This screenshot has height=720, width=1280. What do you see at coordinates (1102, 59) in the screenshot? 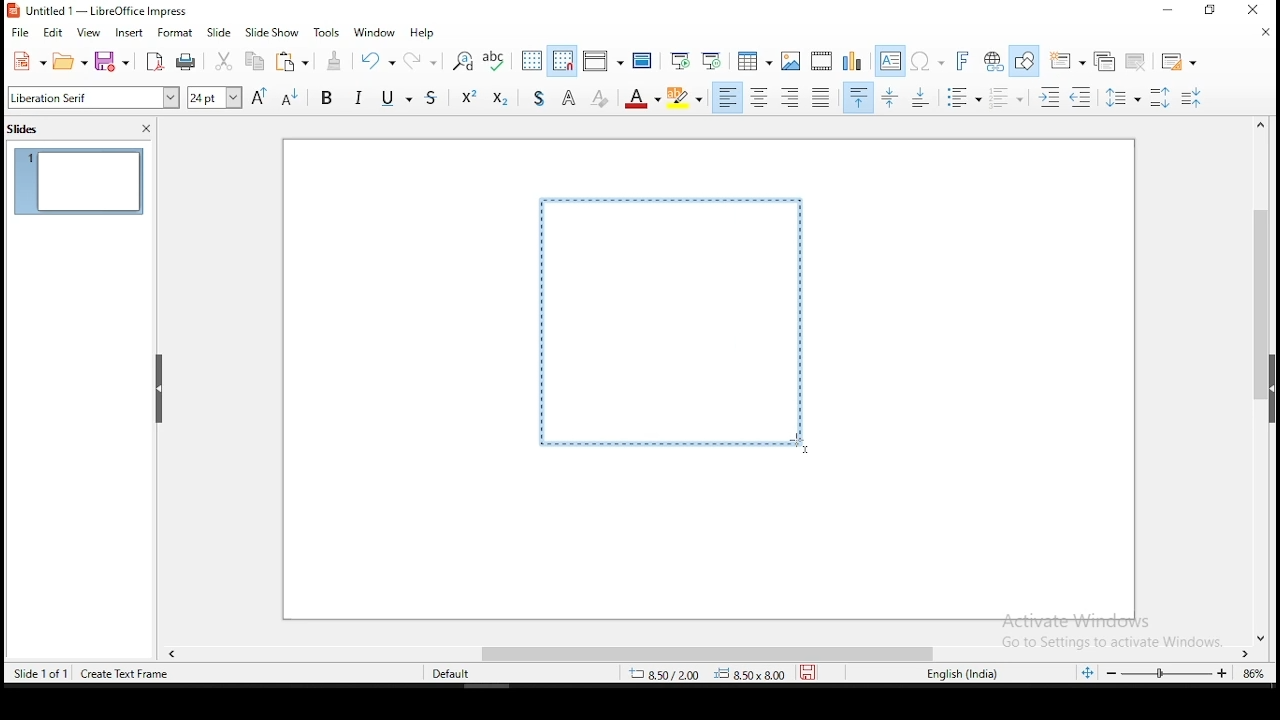
I see `duplicate slide` at bounding box center [1102, 59].